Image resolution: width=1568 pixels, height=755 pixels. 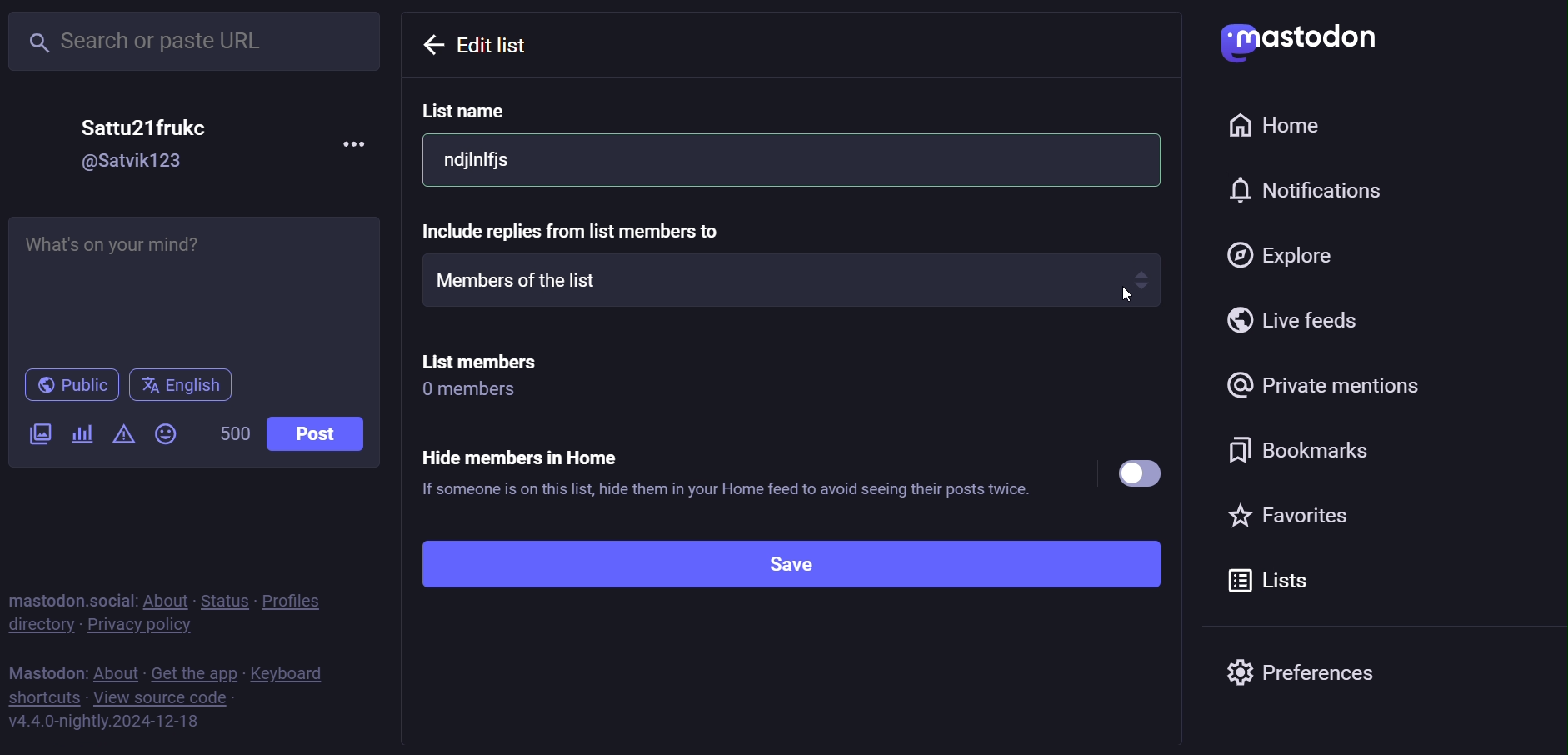 What do you see at coordinates (194, 284) in the screenshot?
I see `Whats on your mind` at bounding box center [194, 284].